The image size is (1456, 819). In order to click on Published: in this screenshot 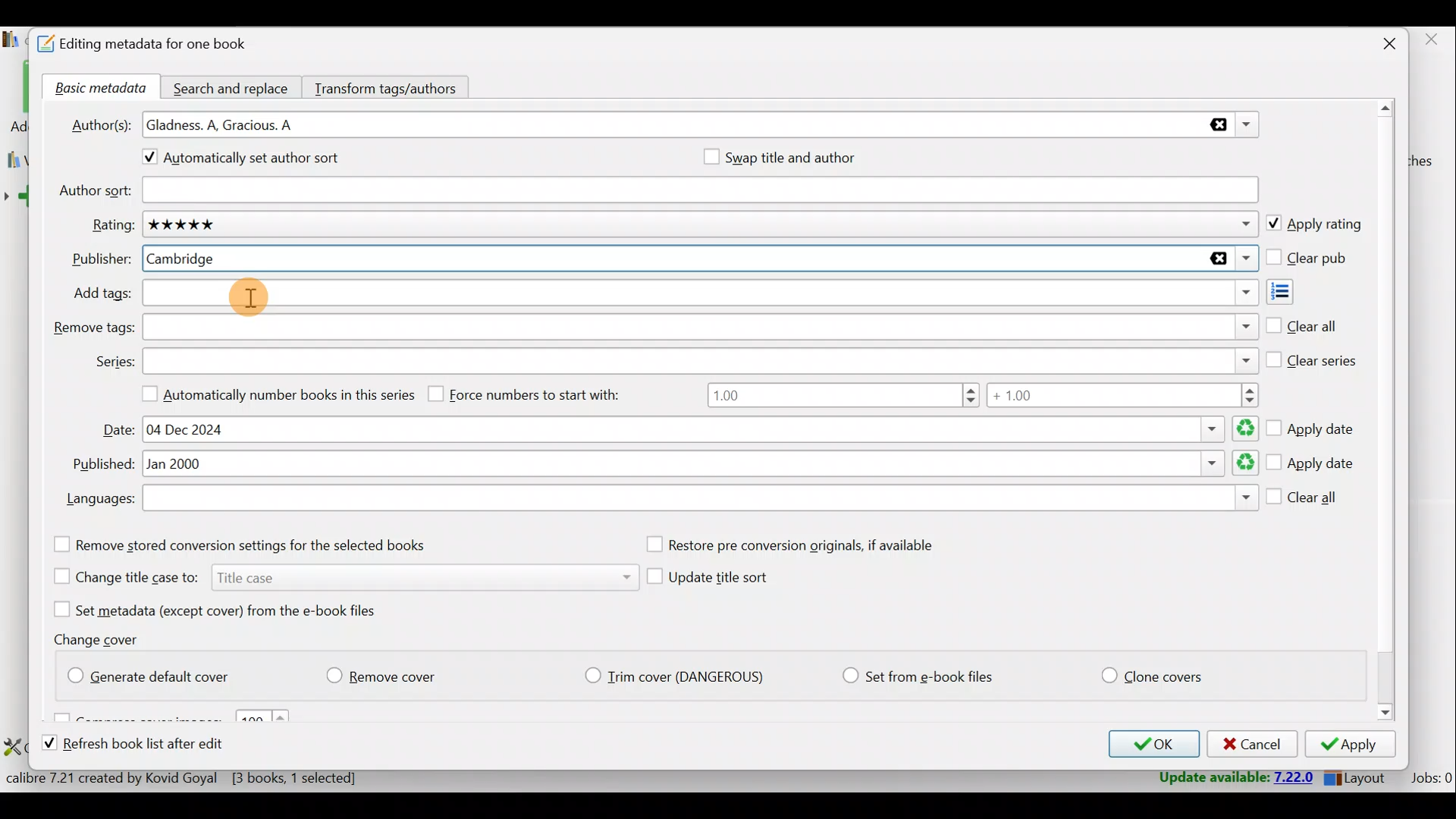, I will do `click(100, 465)`.